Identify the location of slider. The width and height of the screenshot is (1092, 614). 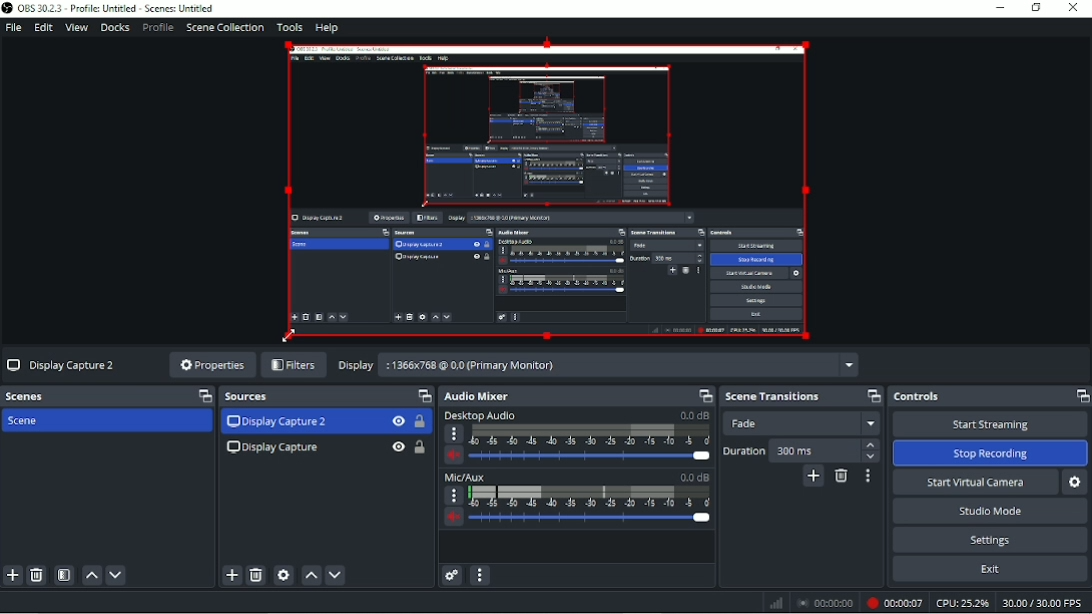
(589, 457).